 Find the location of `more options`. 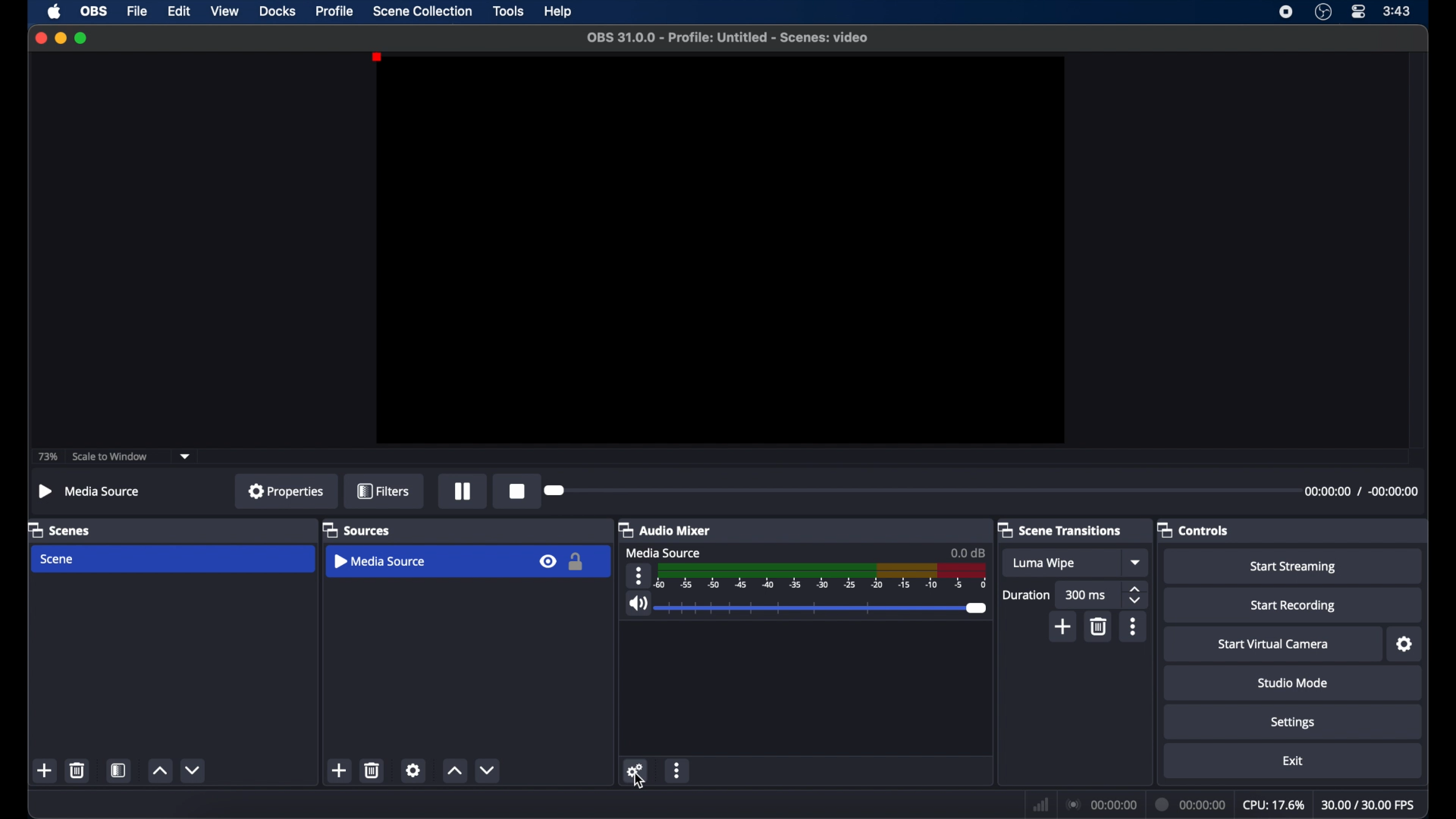

more options is located at coordinates (640, 576).